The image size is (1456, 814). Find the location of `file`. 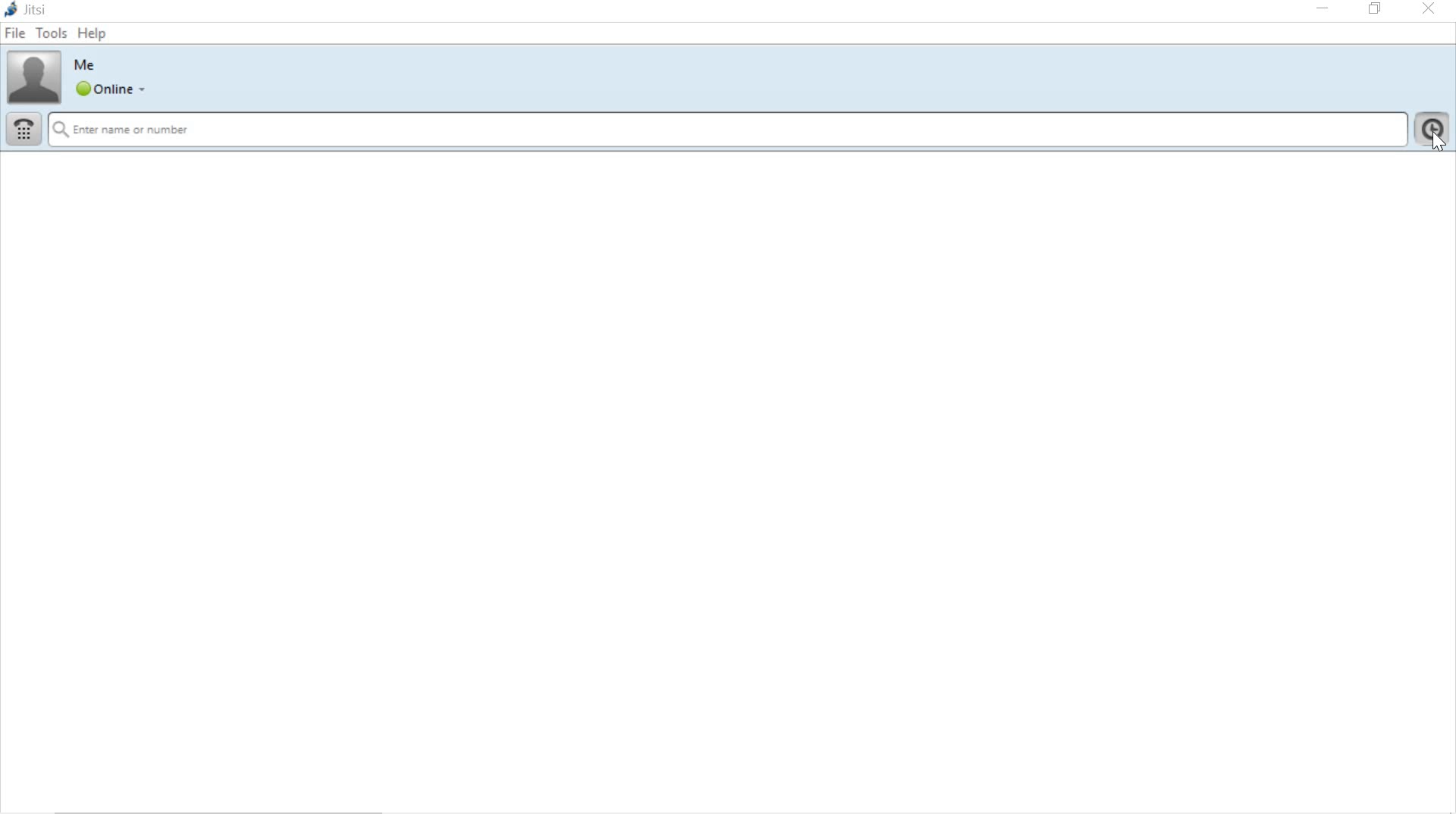

file is located at coordinates (14, 34).